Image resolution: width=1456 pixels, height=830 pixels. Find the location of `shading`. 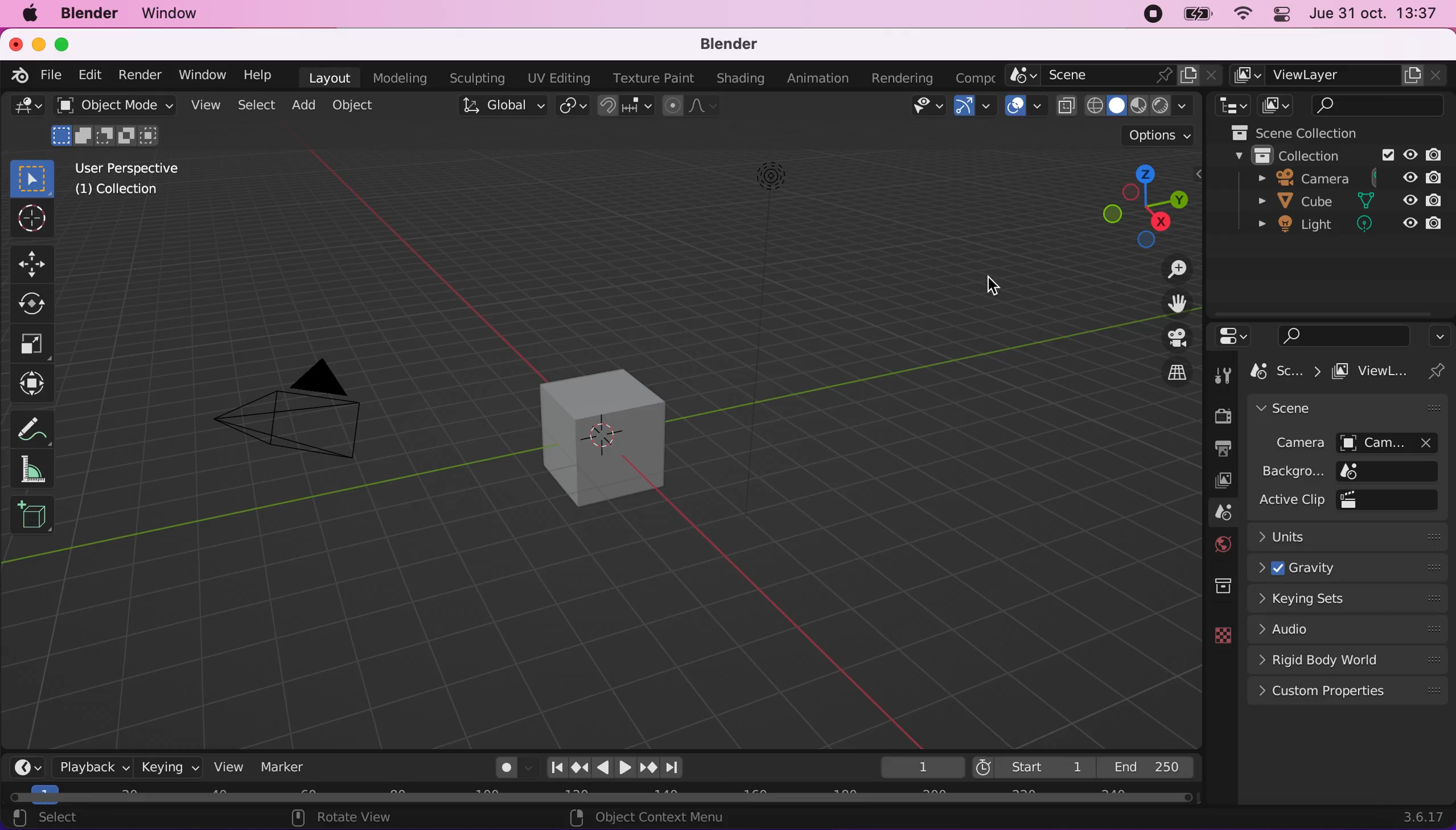

shading is located at coordinates (1139, 105).